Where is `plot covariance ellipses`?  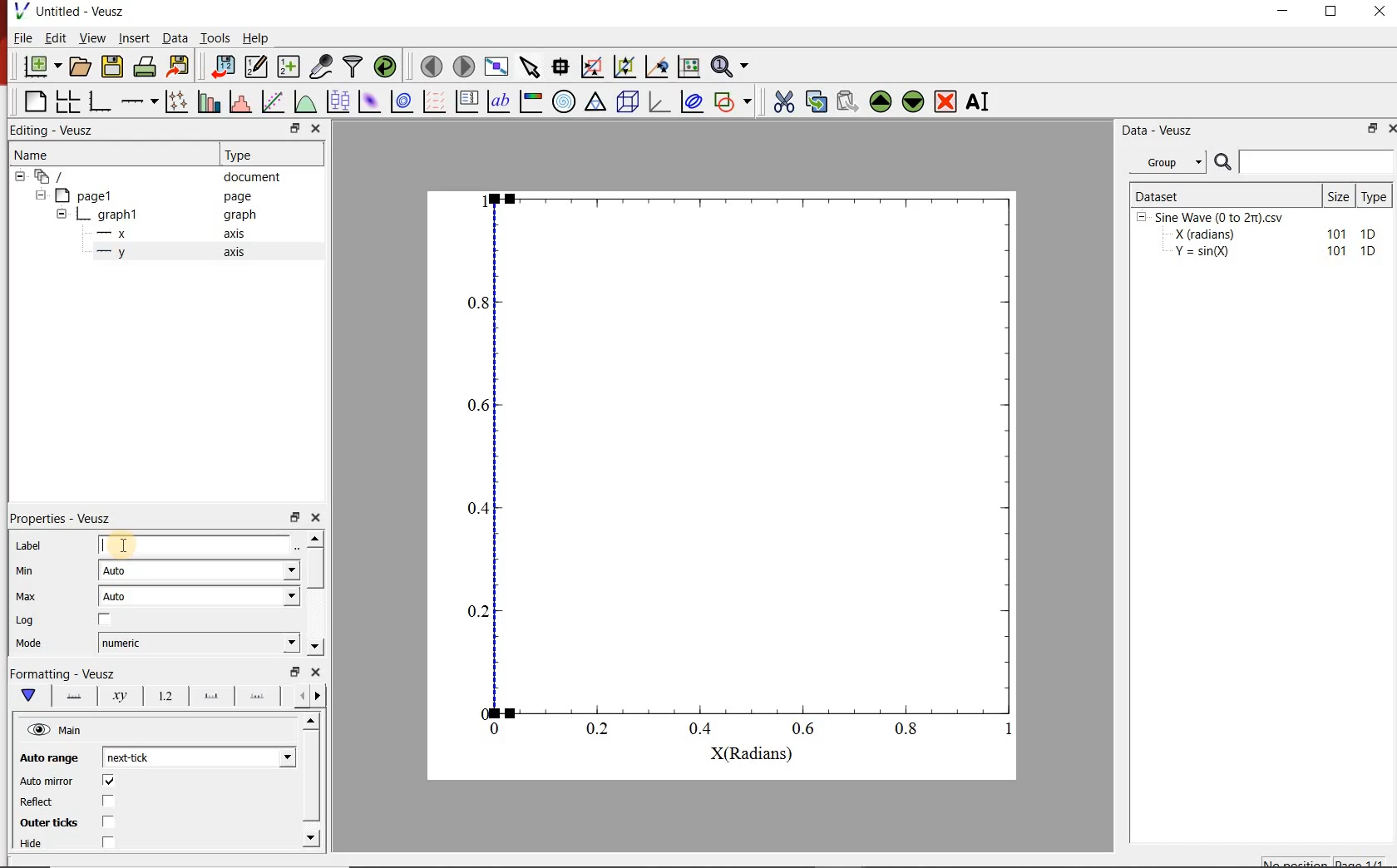
plot covariance ellipses is located at coordinates (691, 101).